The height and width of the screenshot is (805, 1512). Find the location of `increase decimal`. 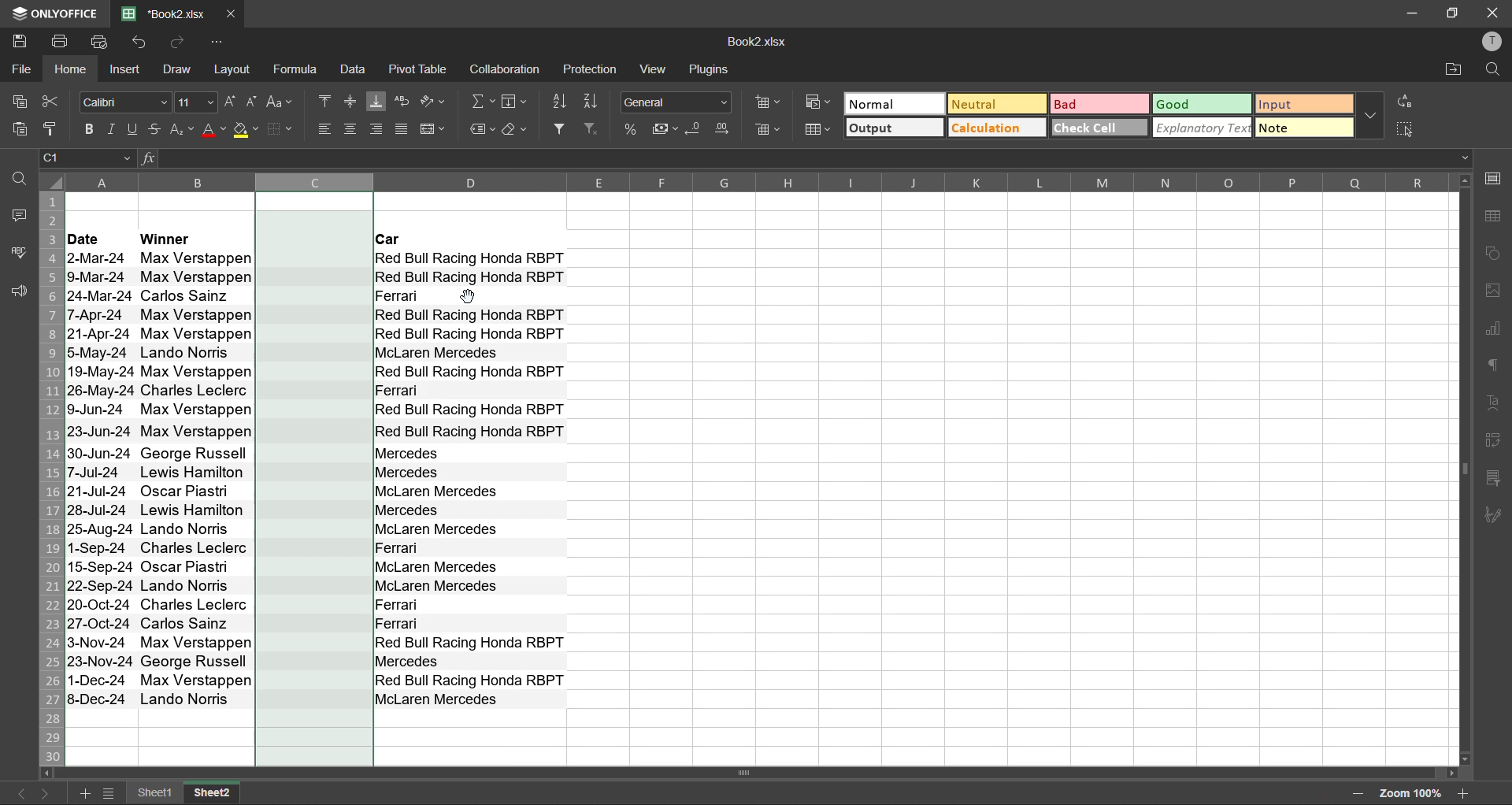

increase decimal is located at coordinates (727, 129).